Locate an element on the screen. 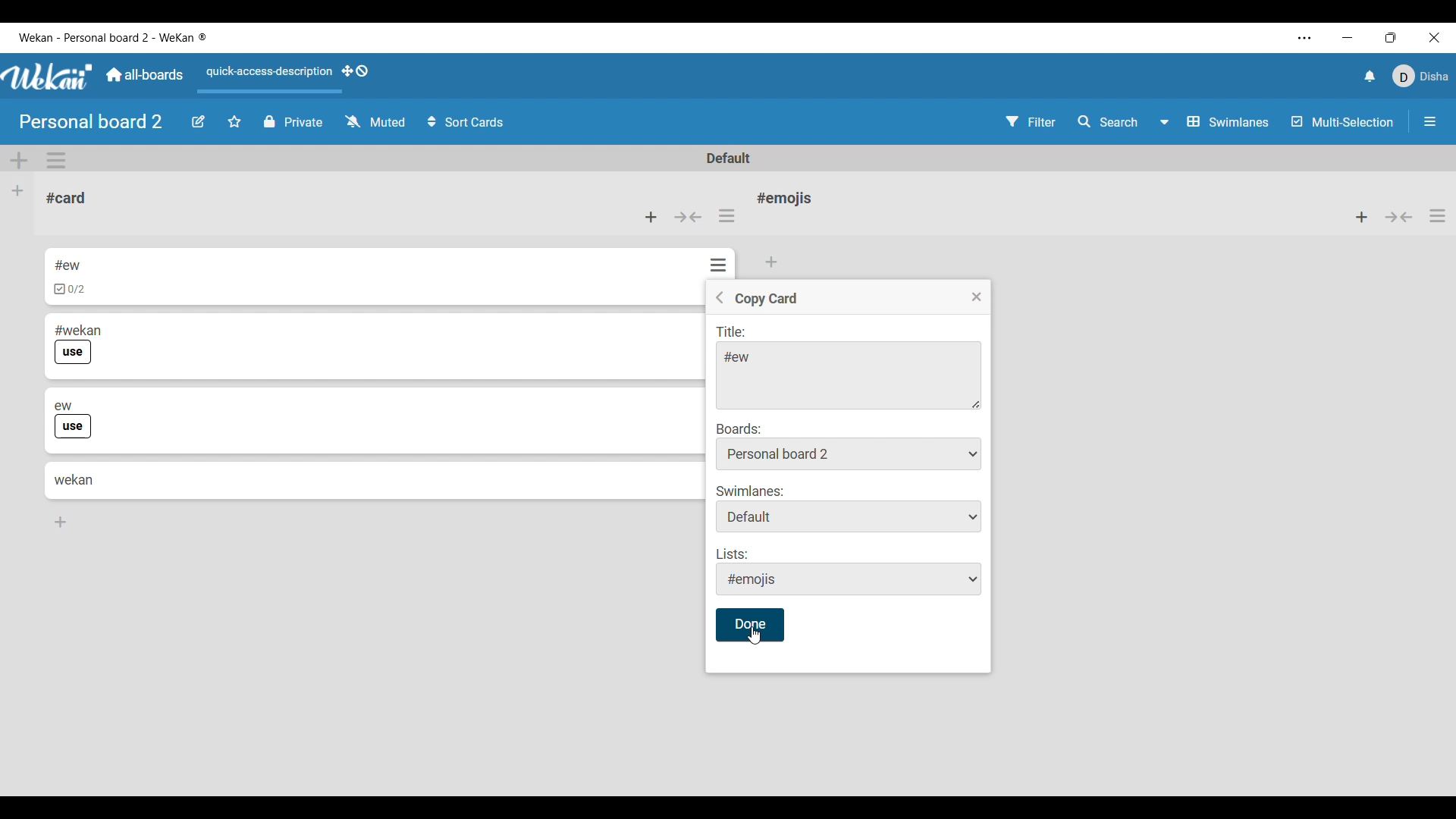 The width and height of the screenshot is (1456, 819). Current account is located at coordinates (1421, 76).